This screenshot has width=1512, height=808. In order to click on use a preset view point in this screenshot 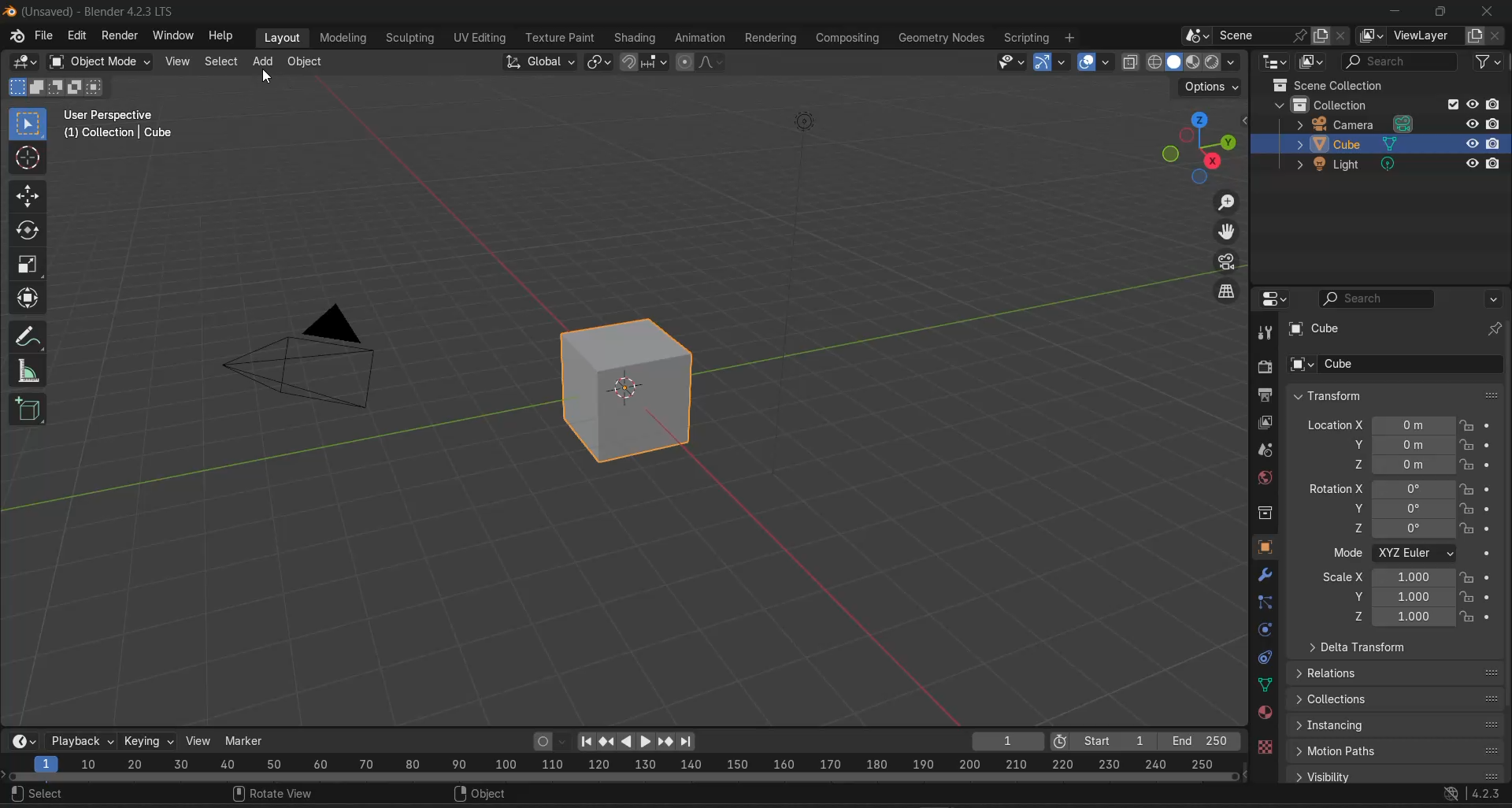, I will do `click(1202, 146)`.